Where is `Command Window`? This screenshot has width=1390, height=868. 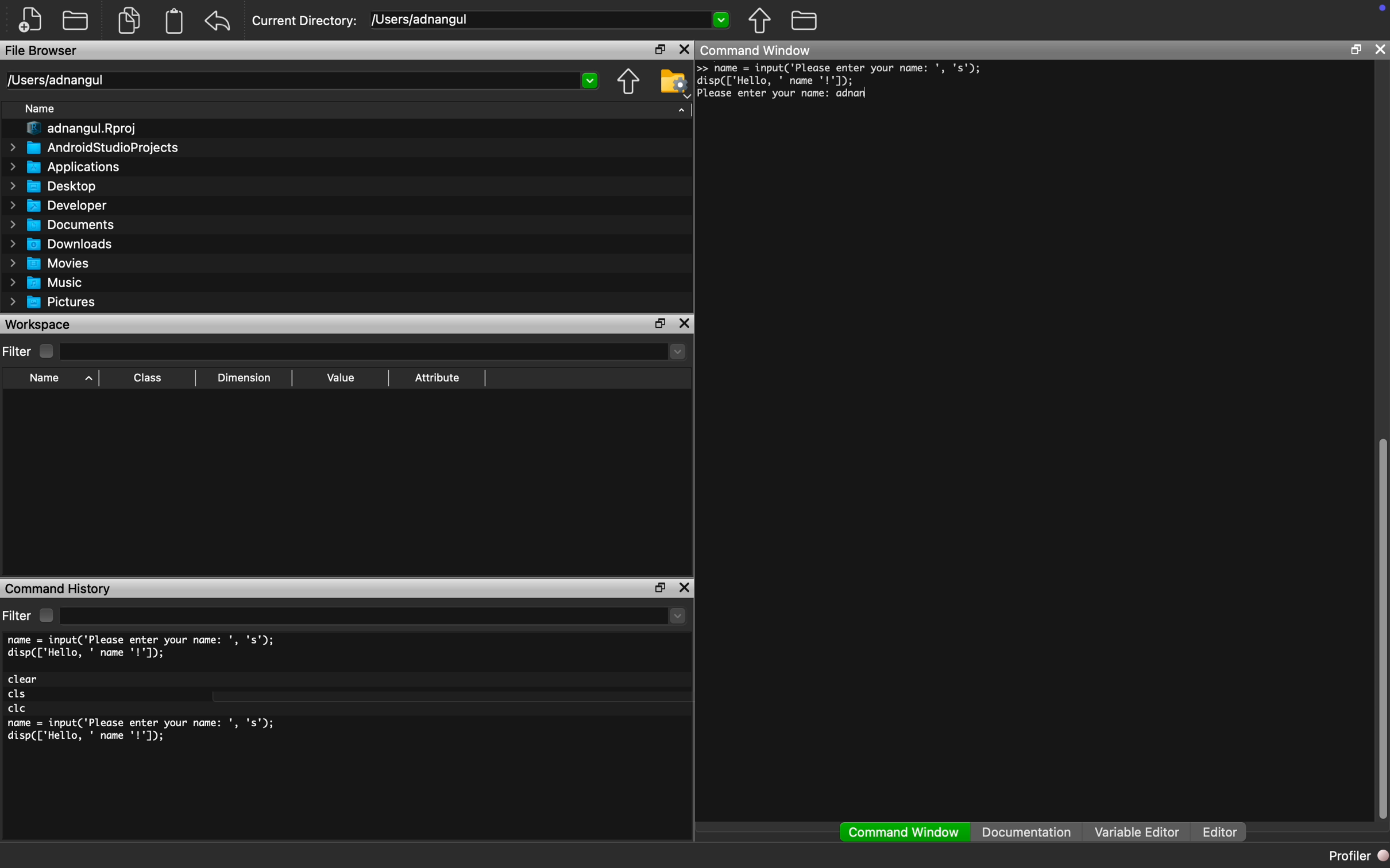 Command Window is located at coordinates (905, 832).